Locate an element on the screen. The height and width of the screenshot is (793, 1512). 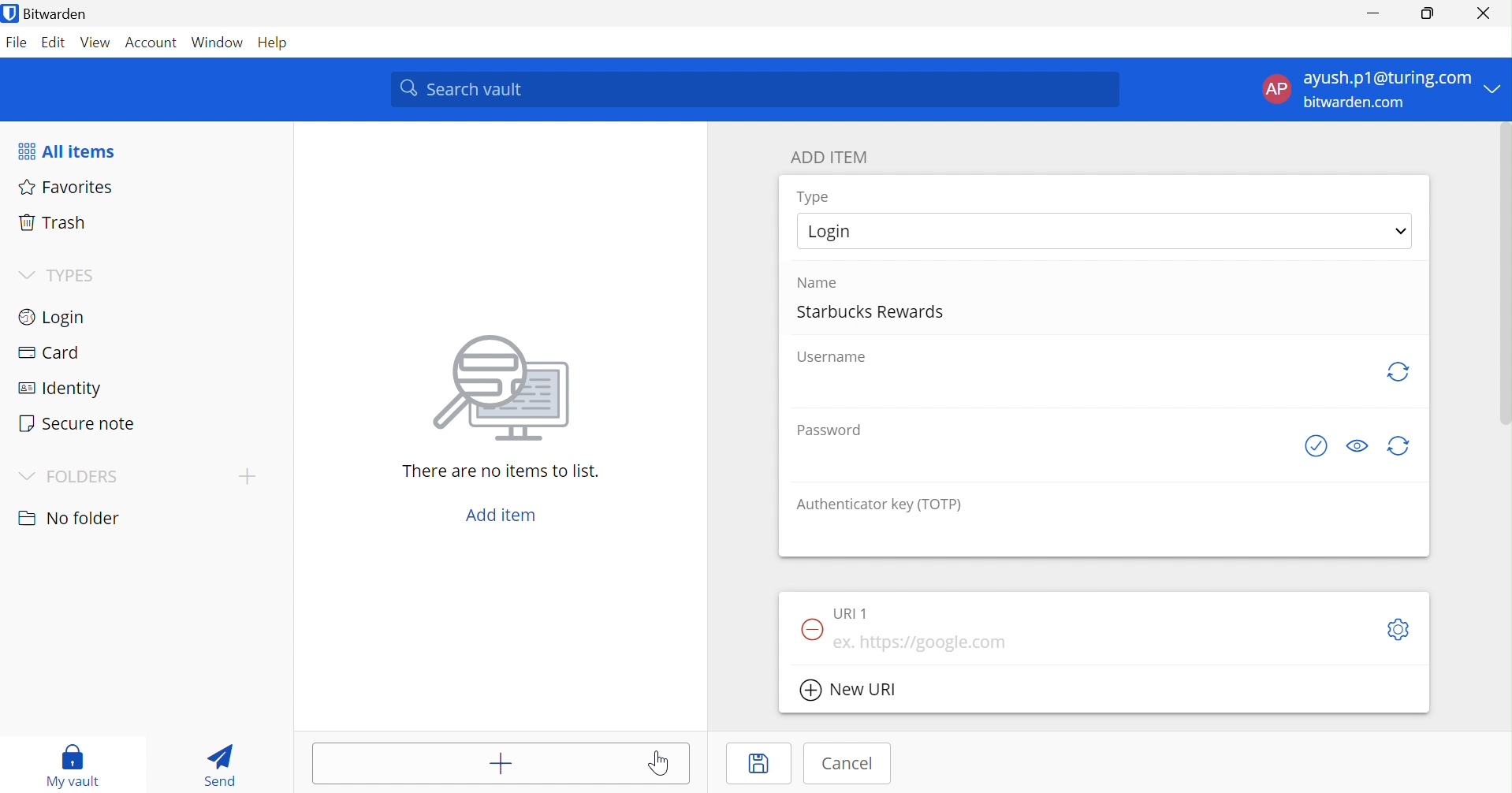
Cursor is located at coordinates (658, 761).